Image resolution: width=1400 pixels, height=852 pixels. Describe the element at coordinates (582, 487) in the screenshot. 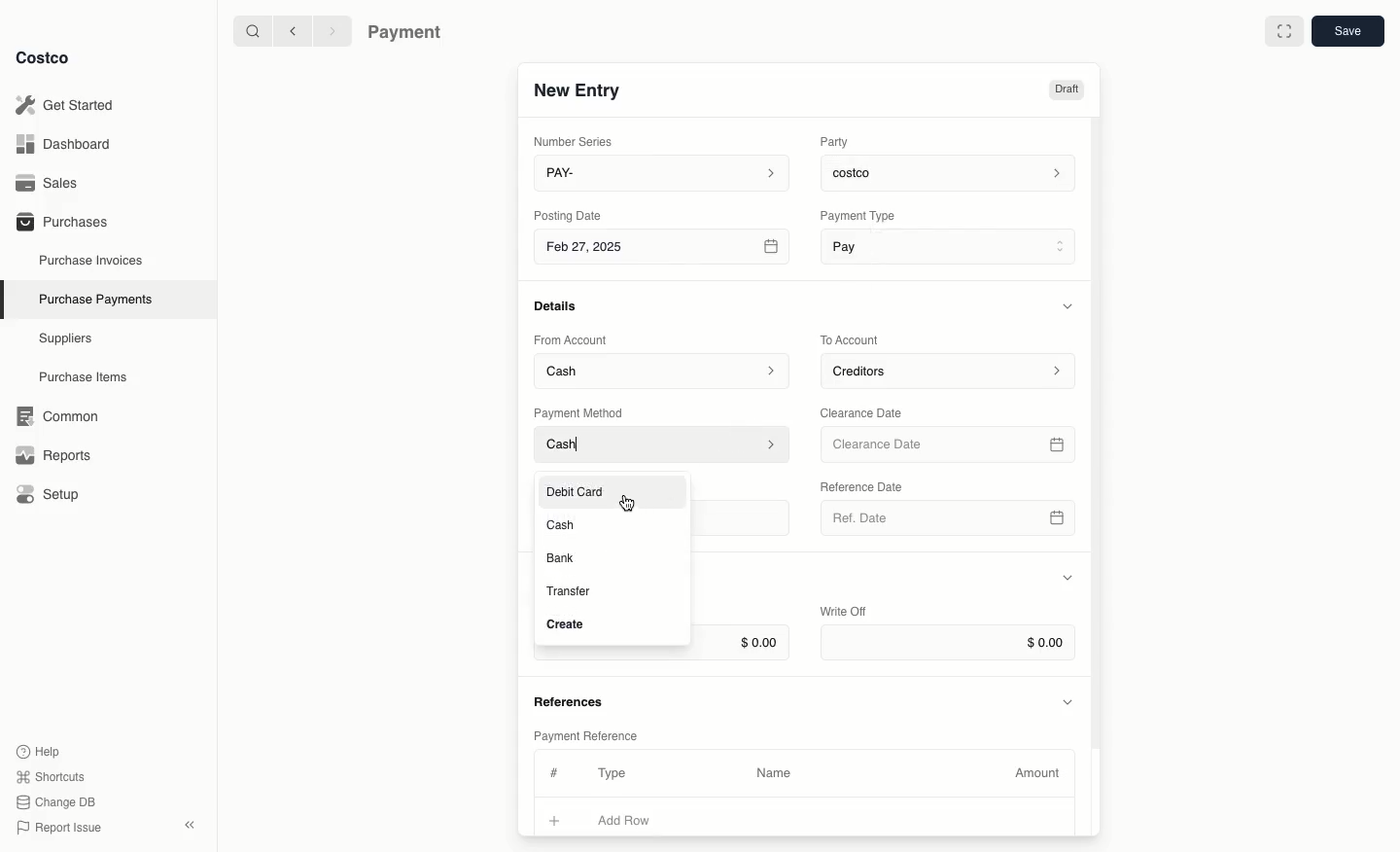

I see `Debit card` at that location.